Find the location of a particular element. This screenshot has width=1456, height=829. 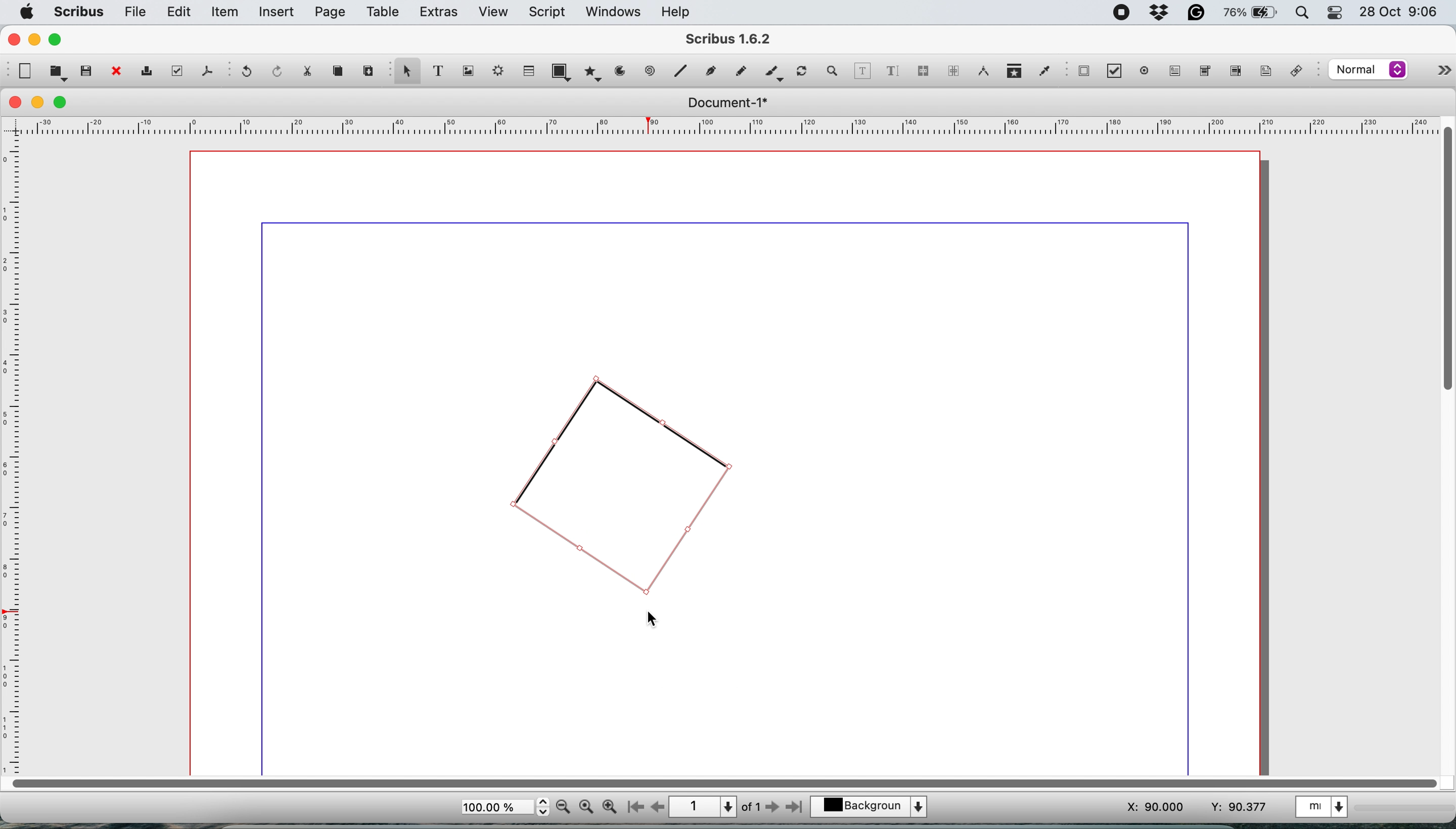

battery is located at coordinates (1248, 14).